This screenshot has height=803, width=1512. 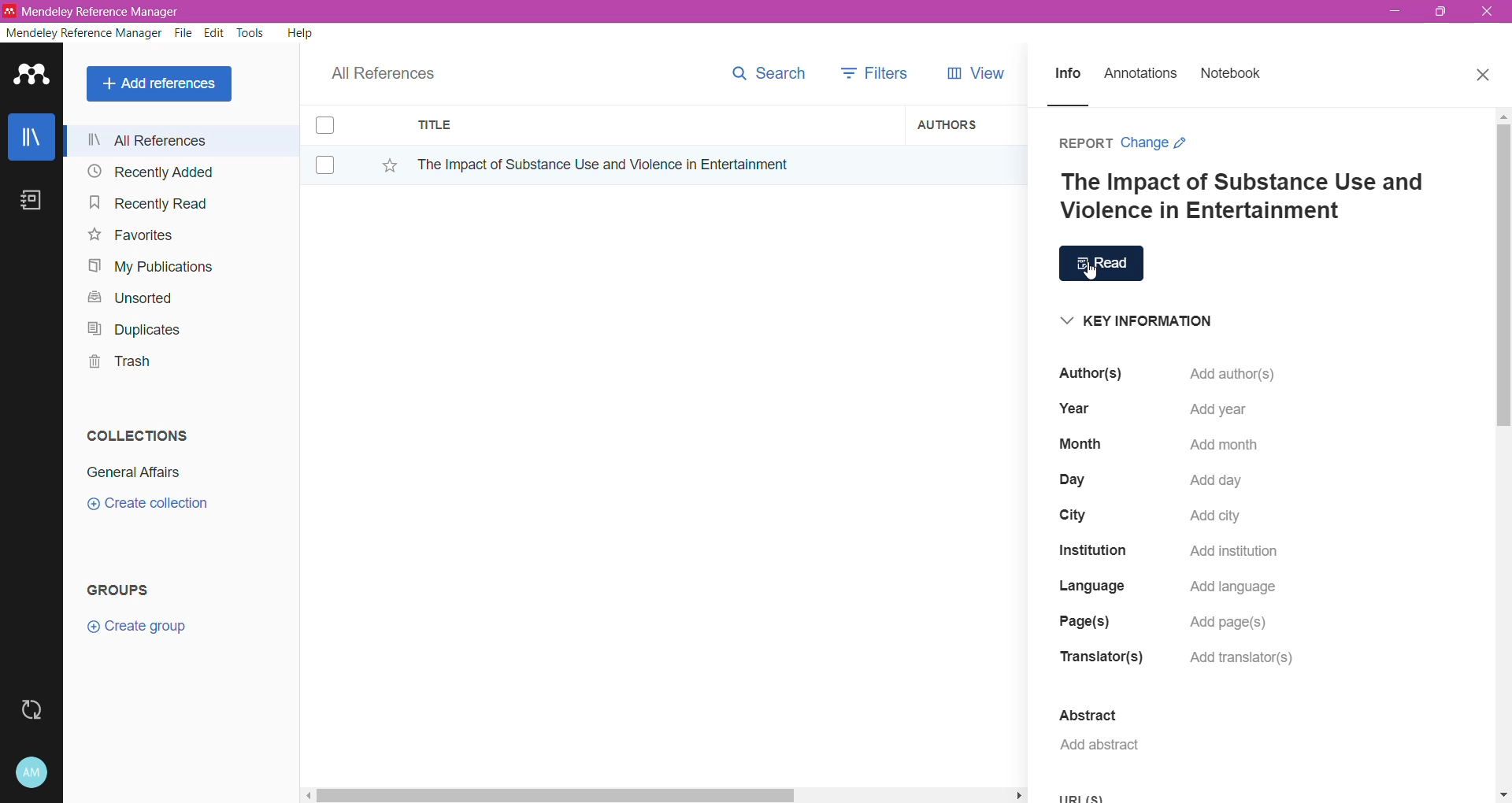 What do you see at coordinates (968, 125) in the screenshot?
I see `Authors` at bounding box center [968, 125].